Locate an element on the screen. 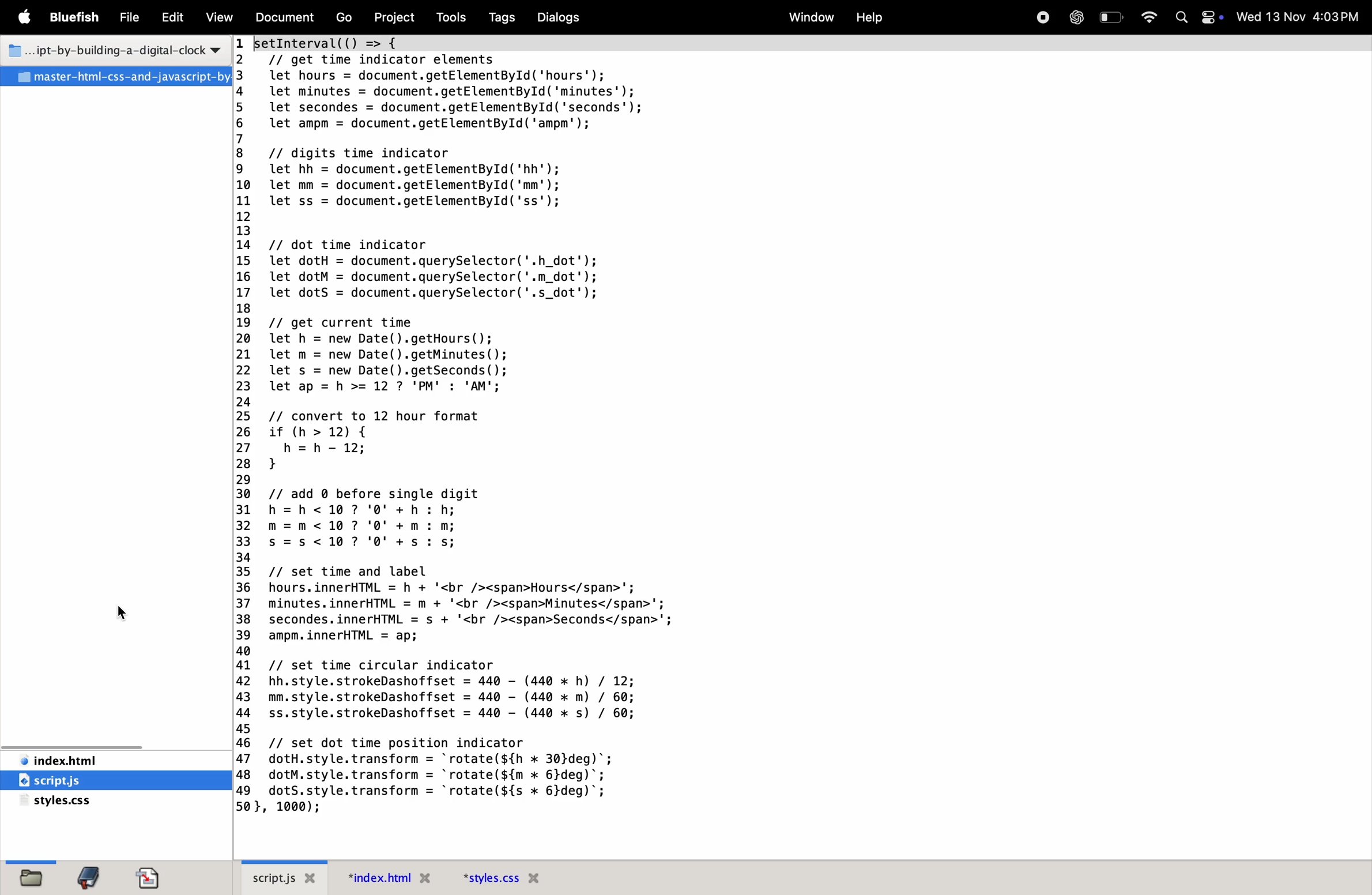 The height and width of the screenshot is (895, 1372). view is located at coordinates (216, 18).